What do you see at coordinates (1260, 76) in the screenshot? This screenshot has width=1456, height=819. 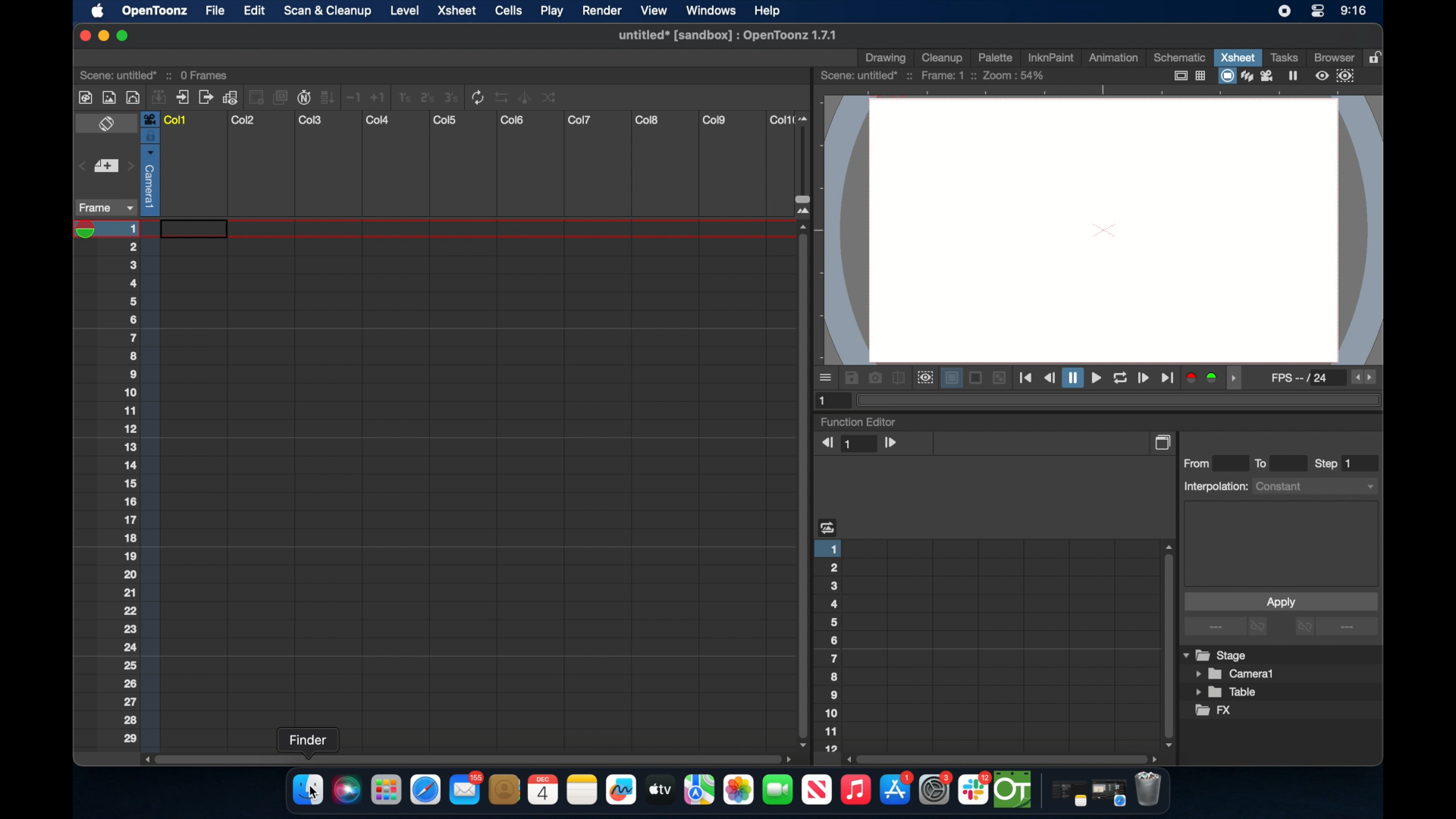 I see `view modes` at bounding box center [1260, 76].